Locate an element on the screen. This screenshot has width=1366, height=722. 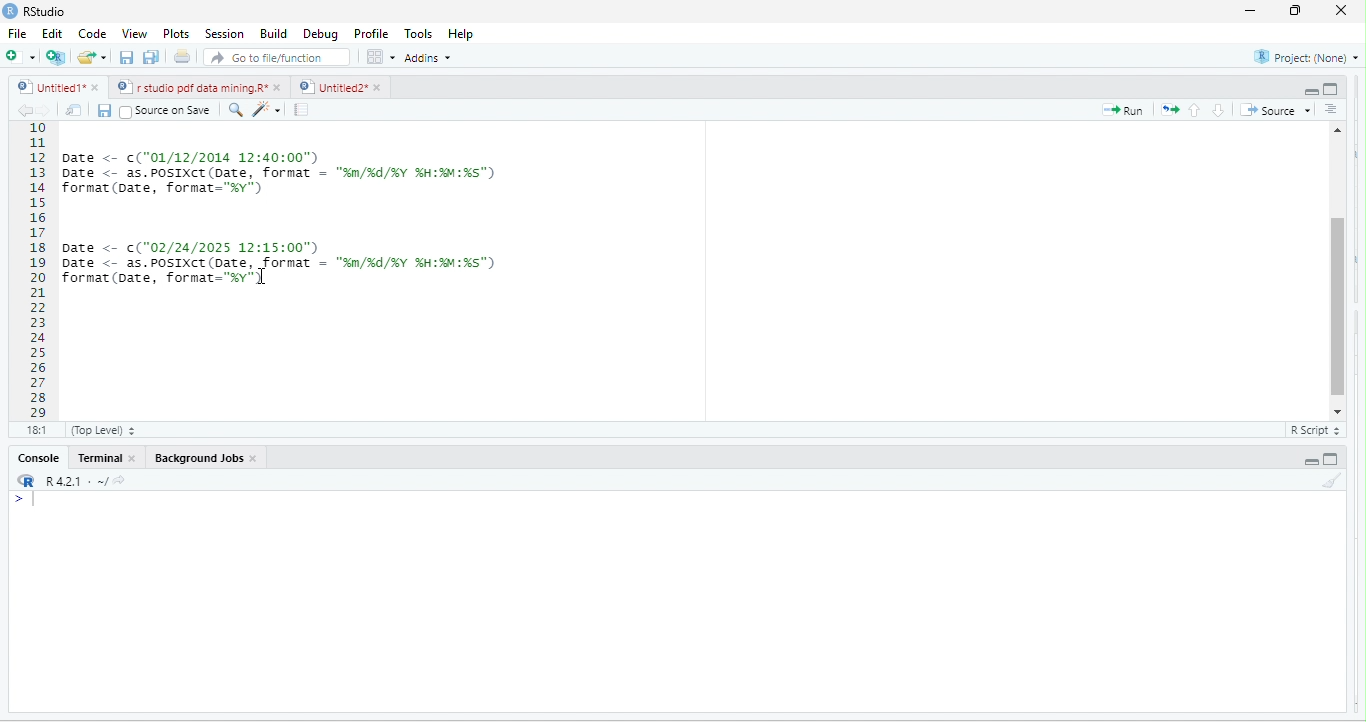
maximize is located at coordinates (1292, 12).